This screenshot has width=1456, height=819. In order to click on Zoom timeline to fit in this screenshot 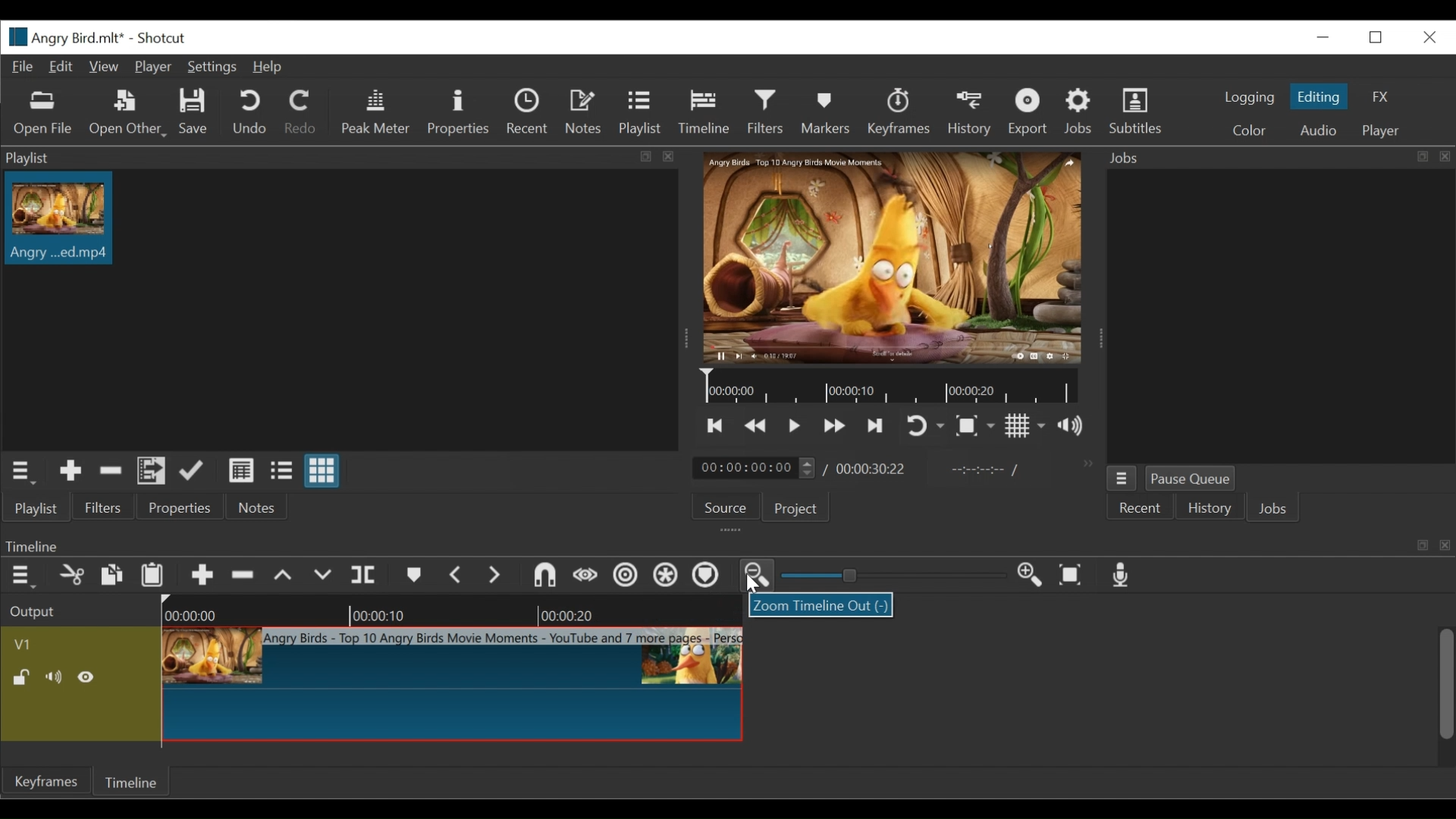, I will do `click(1072, 576)`.